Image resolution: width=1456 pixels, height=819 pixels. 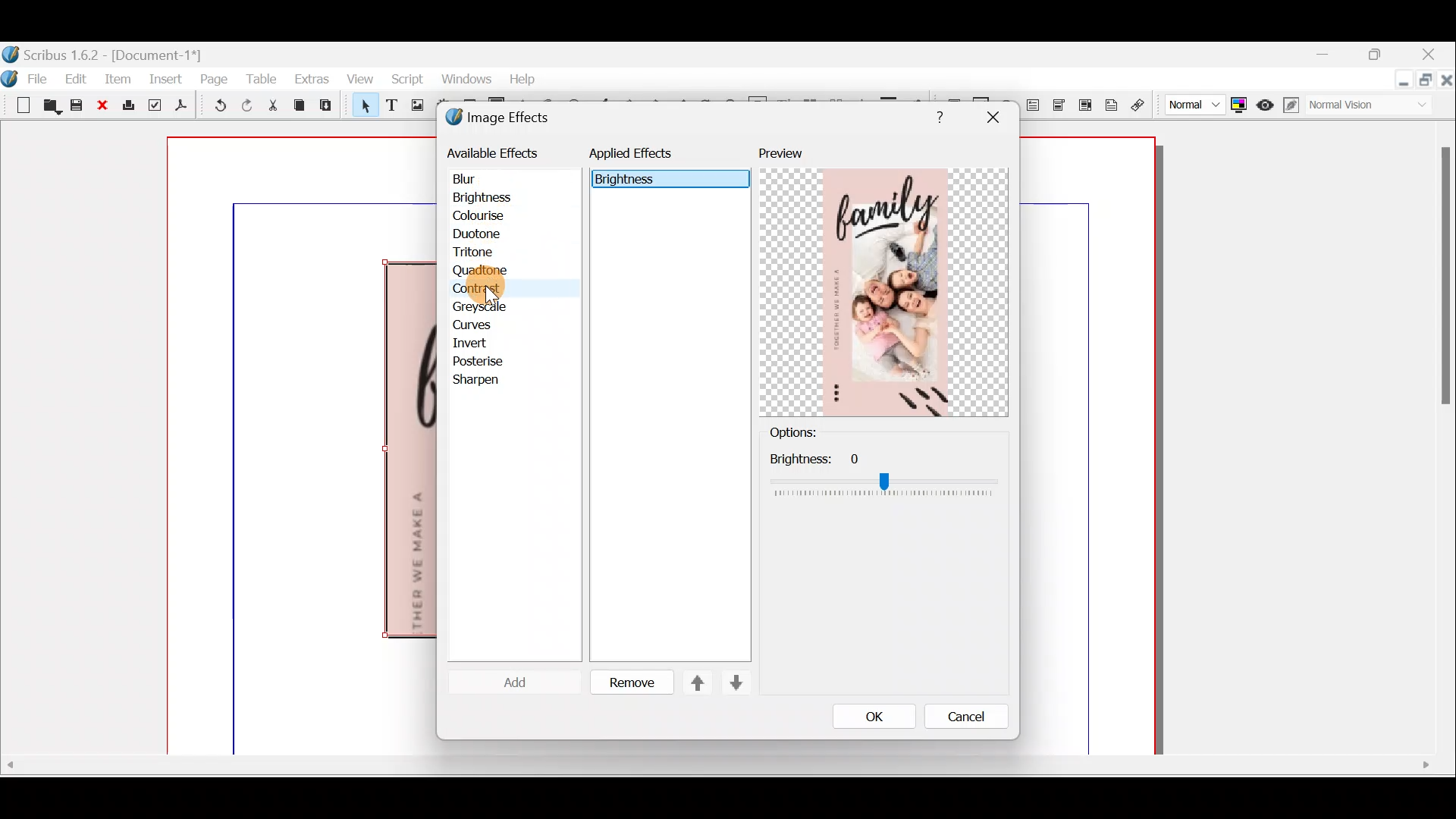 I want to click on Link annotation, so click(x=1140, y=105).